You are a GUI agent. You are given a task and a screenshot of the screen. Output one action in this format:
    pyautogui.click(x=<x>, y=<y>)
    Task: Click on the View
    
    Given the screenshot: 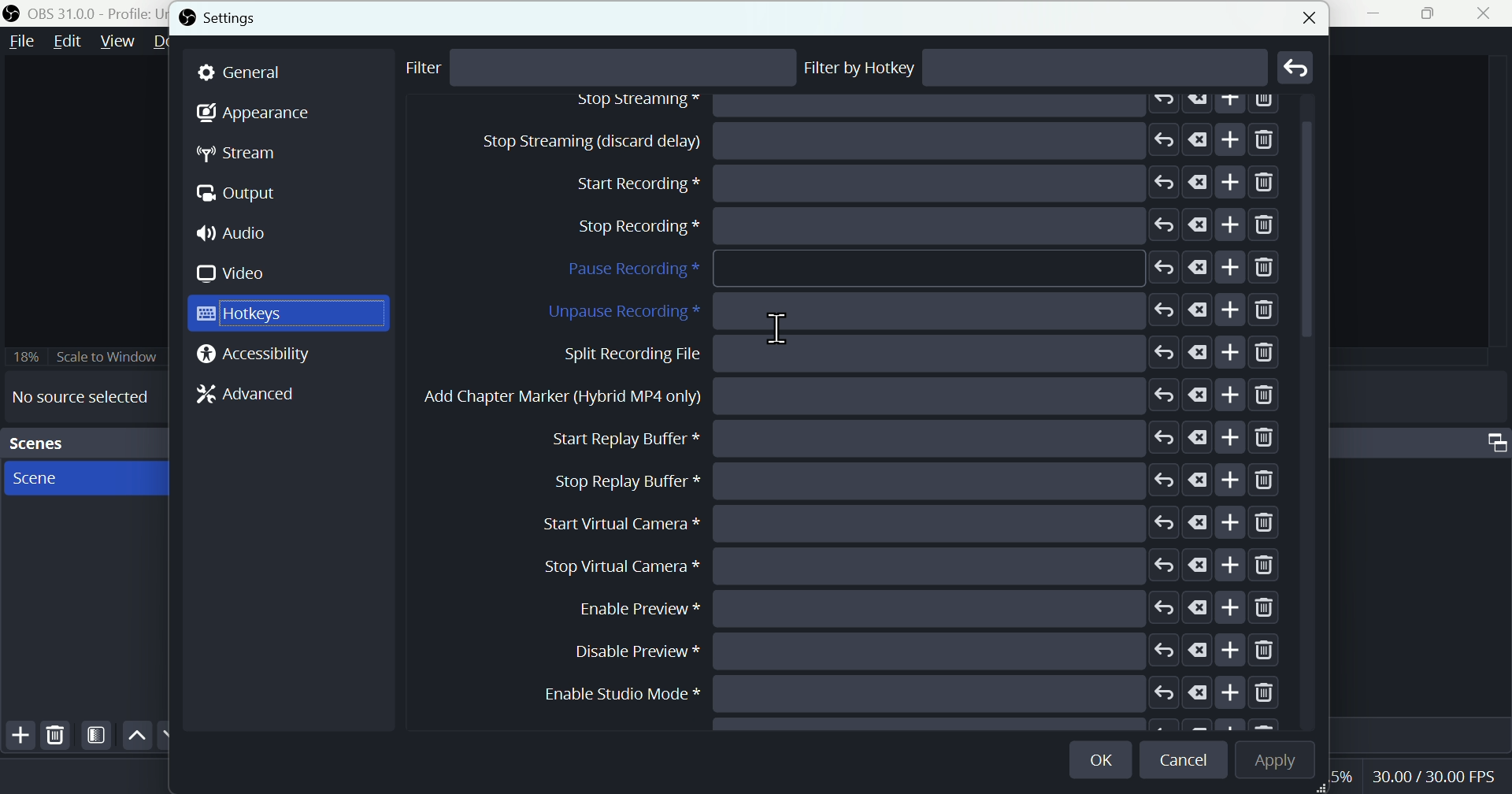 What is the action you would take?
    pyautogui.click(x=114, y=42)
    